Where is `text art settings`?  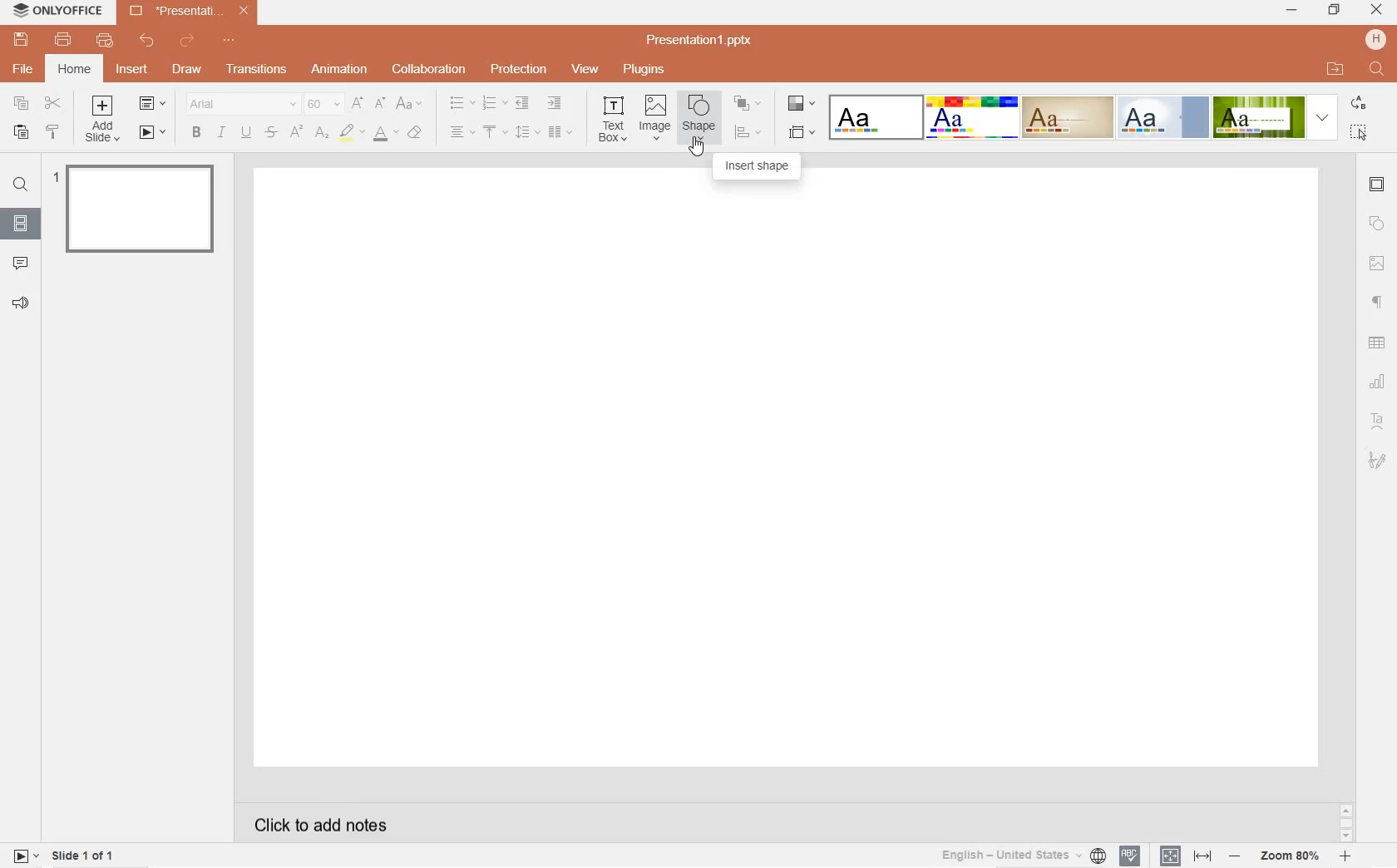
text art settings is located at coordinates (1375, 419).